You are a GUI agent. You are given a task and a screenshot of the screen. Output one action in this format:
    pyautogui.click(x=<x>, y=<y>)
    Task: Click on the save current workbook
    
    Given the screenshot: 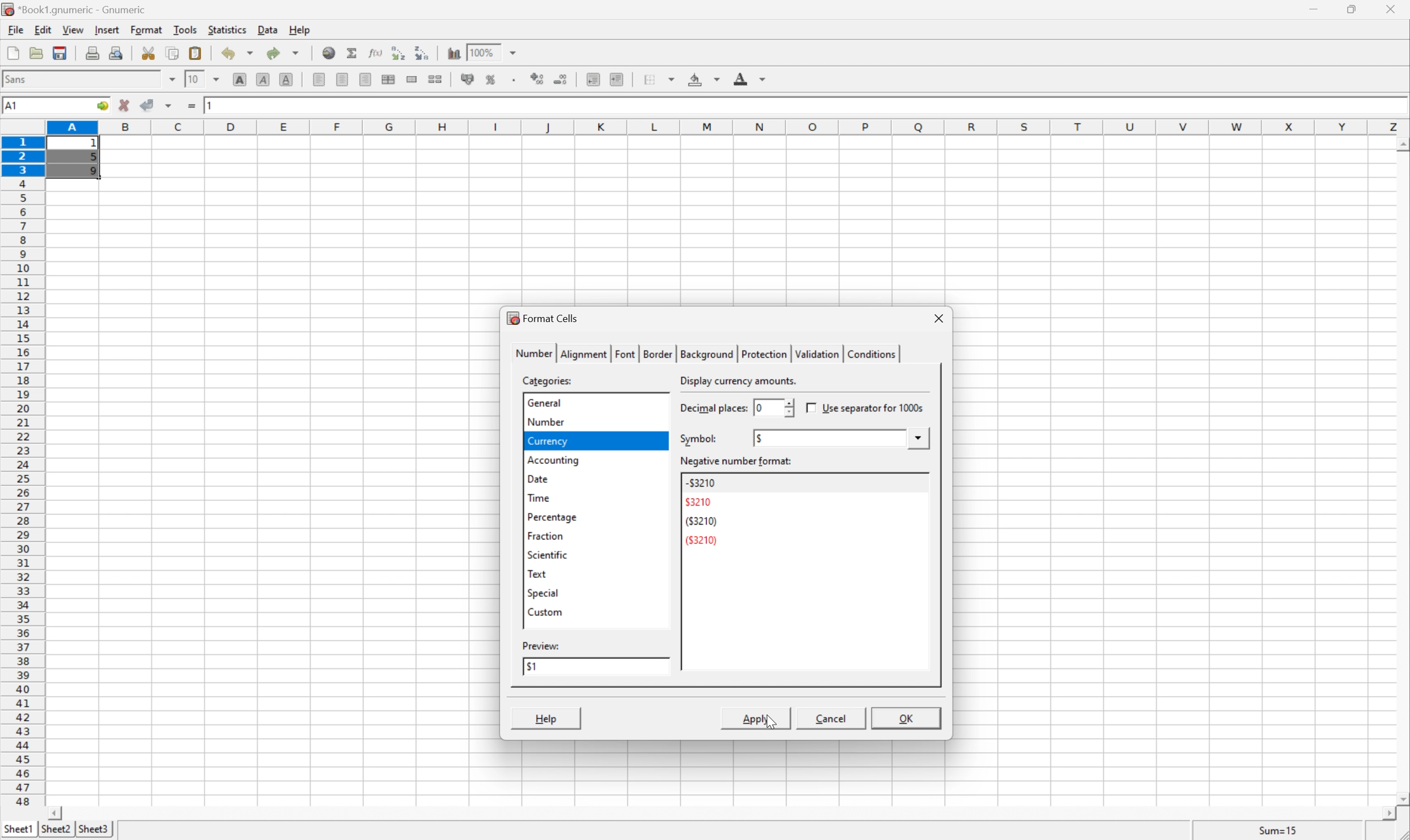 What is the action you would take?
    pyautogui.click(x=60, y=53)
    